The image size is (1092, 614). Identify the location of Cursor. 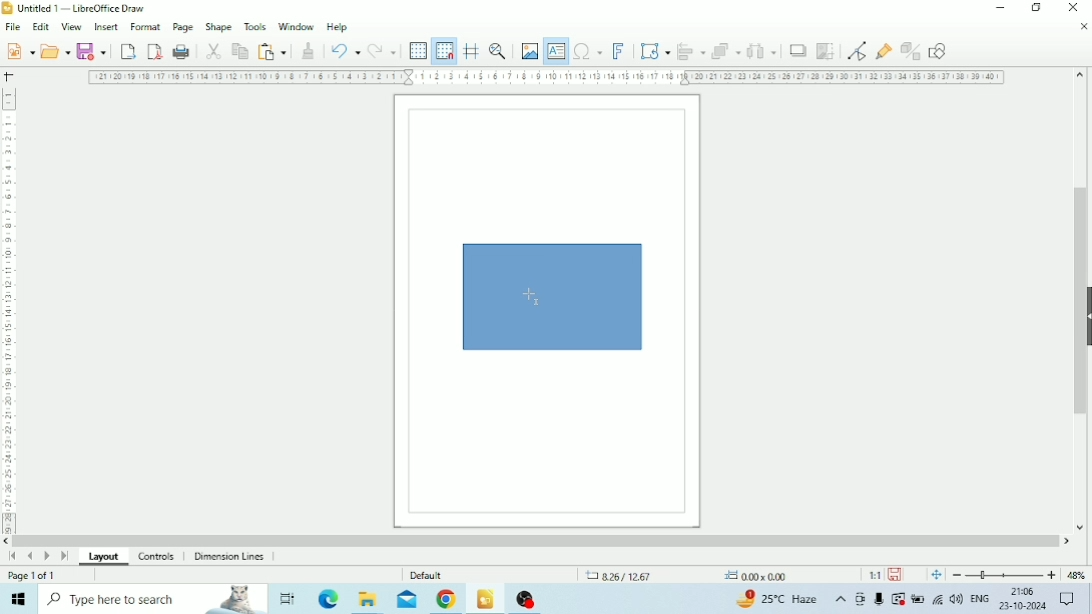
(532, 298).